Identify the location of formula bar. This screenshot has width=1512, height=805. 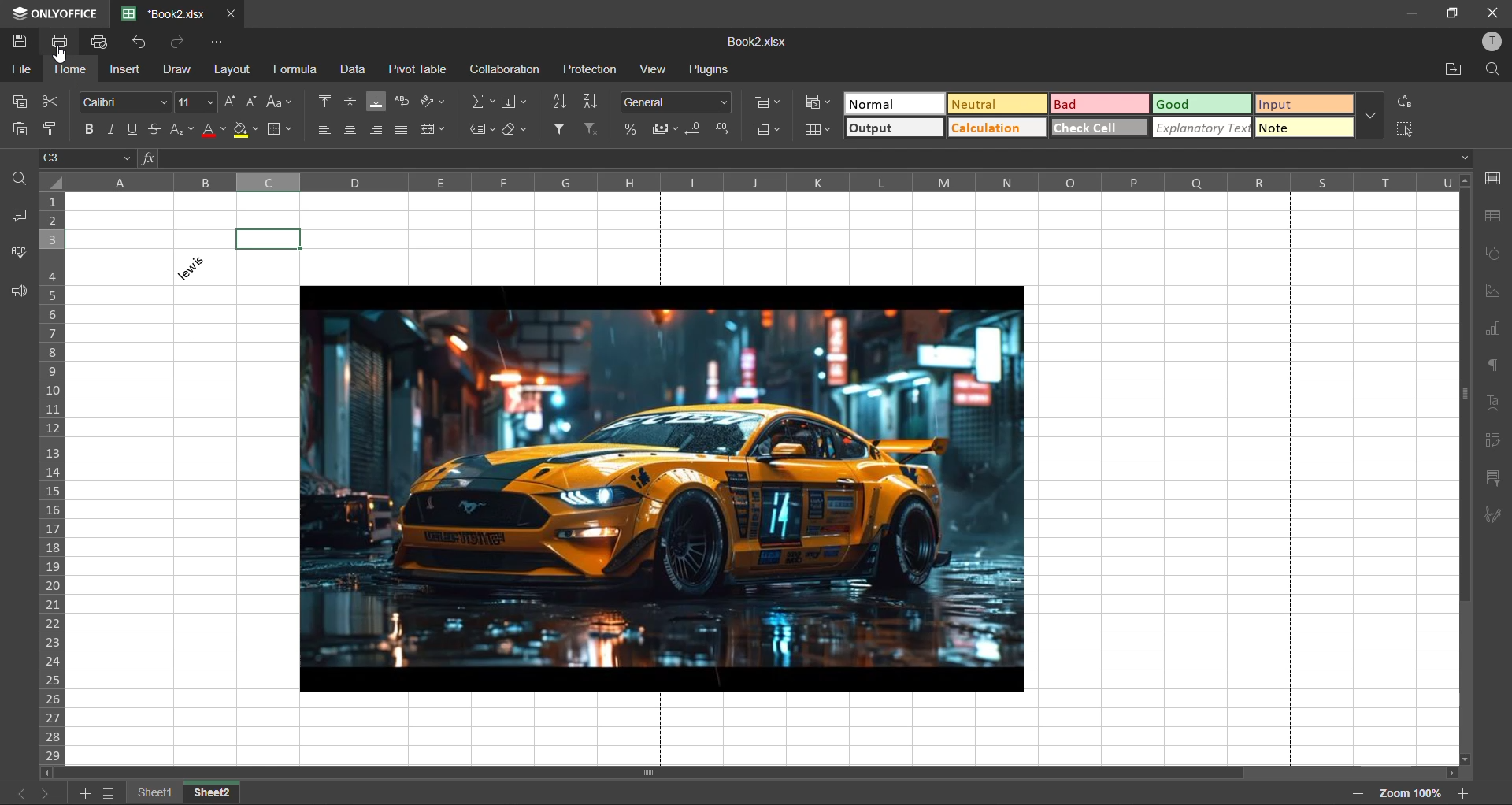
(804, 159).